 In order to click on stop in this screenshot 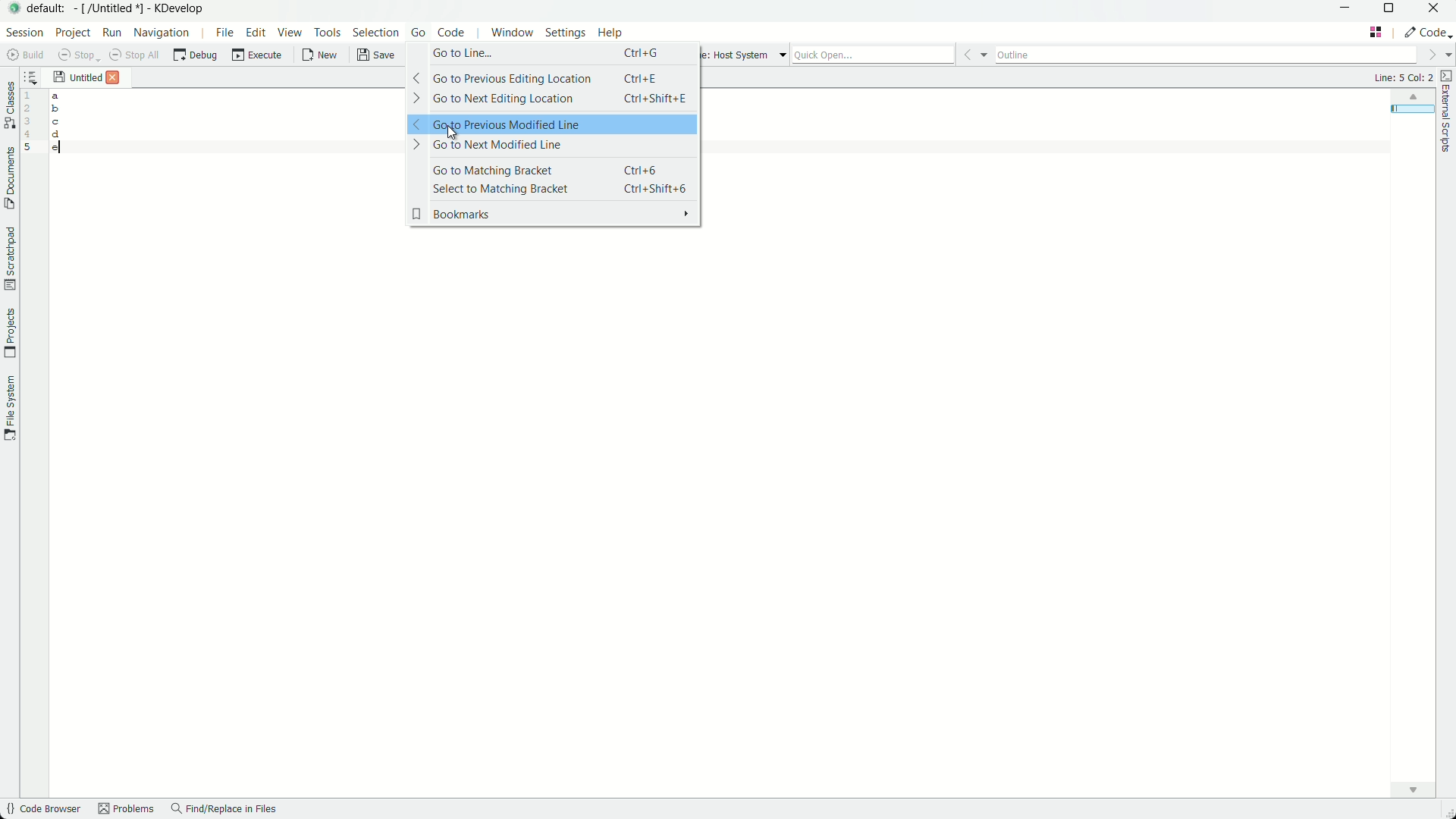, I will do `click(74, 56)`.